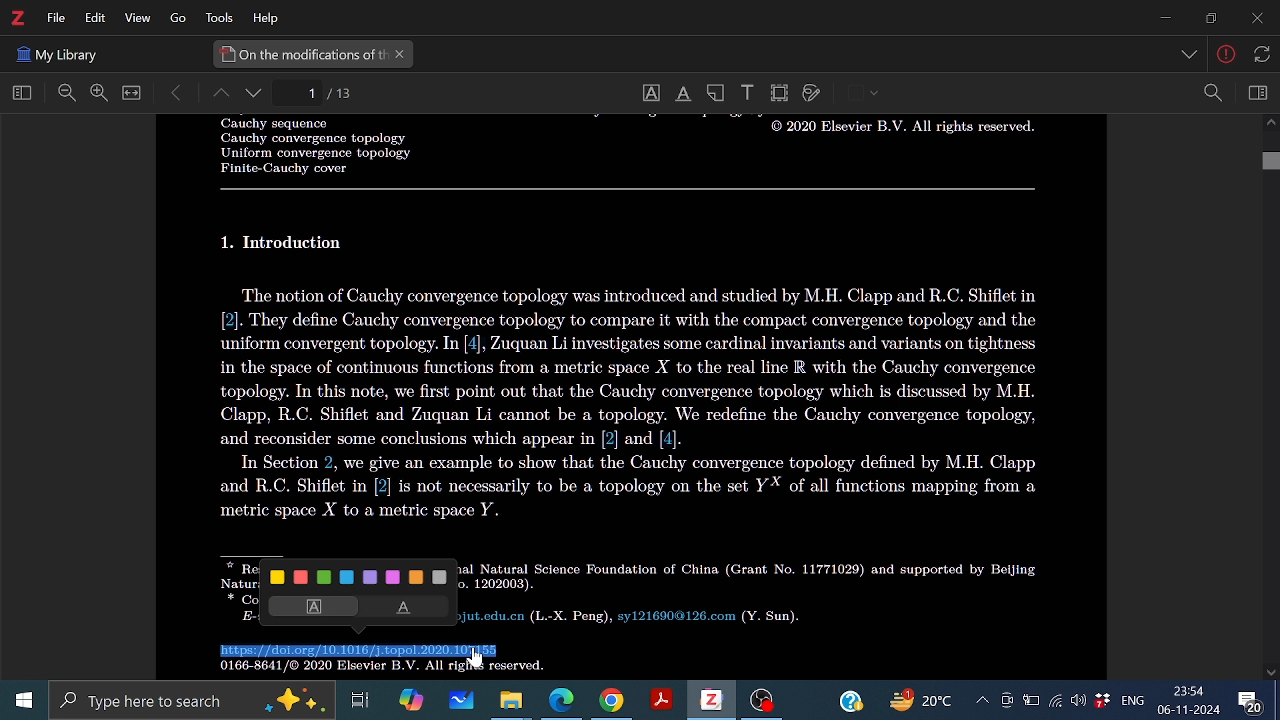  I want to click on Files, so click(512, 700).